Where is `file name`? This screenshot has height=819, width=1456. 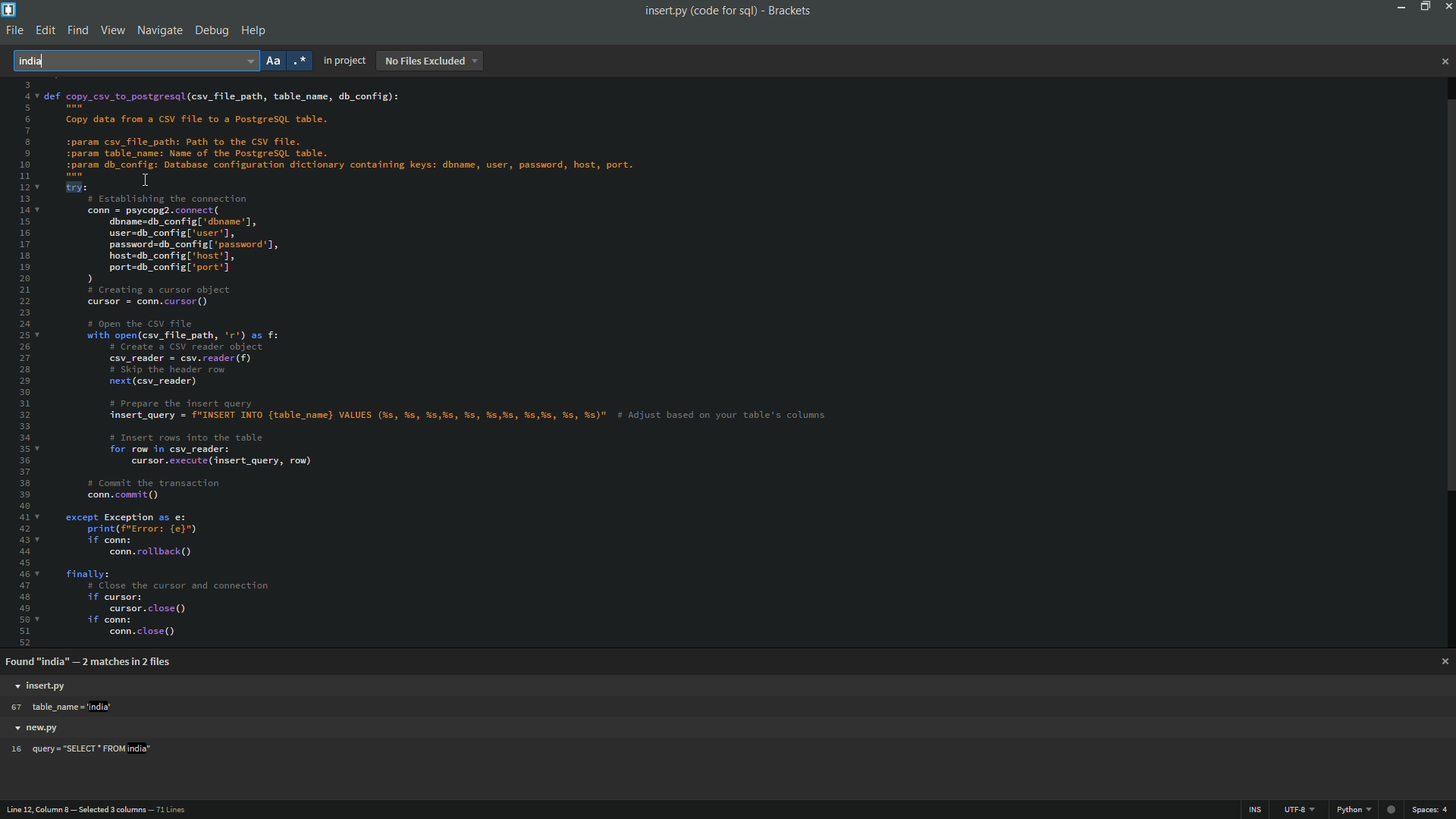
file name is located at coordinates (699, 11).